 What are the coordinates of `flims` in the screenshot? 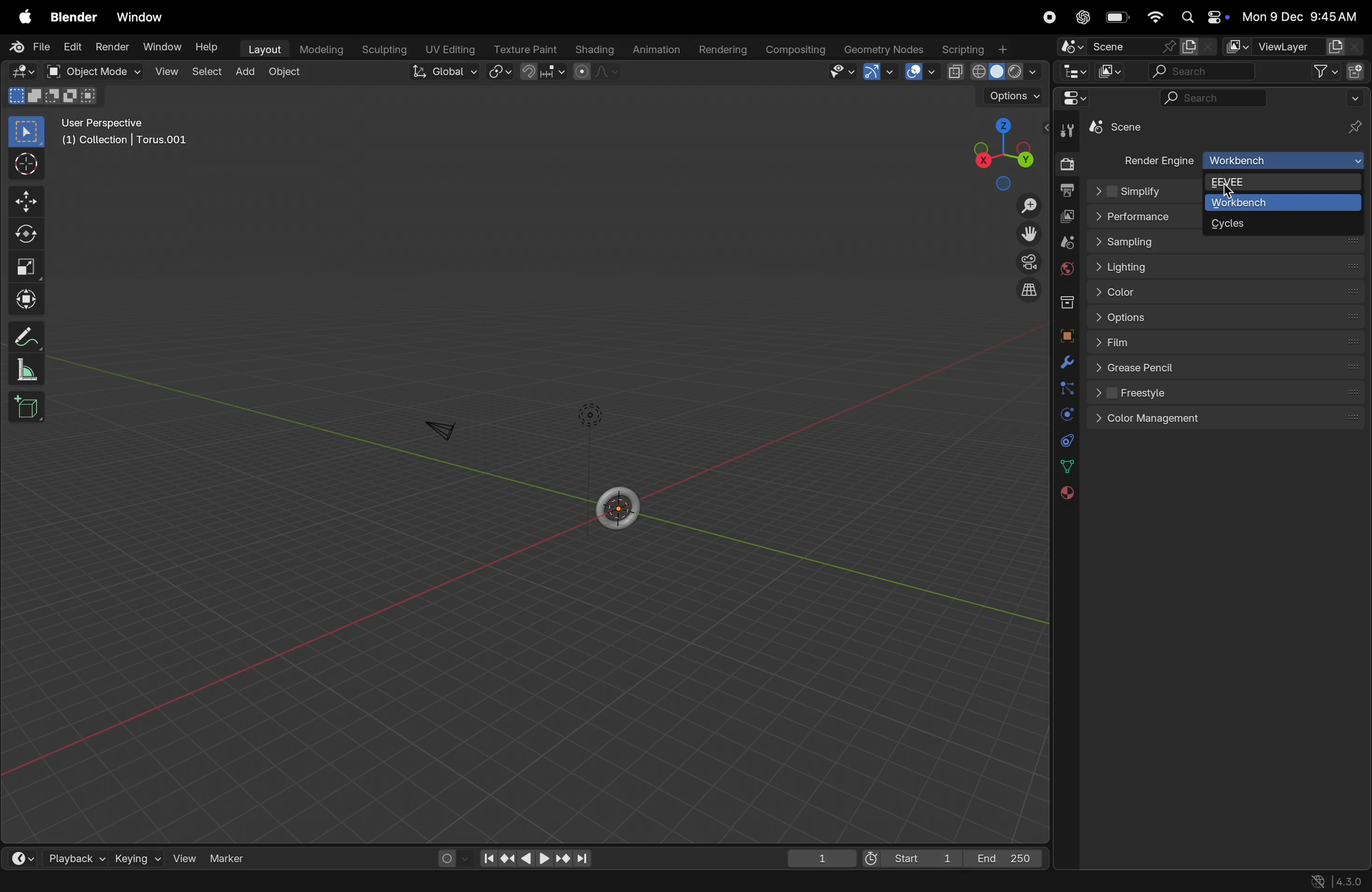 It's located at (1227, 343).